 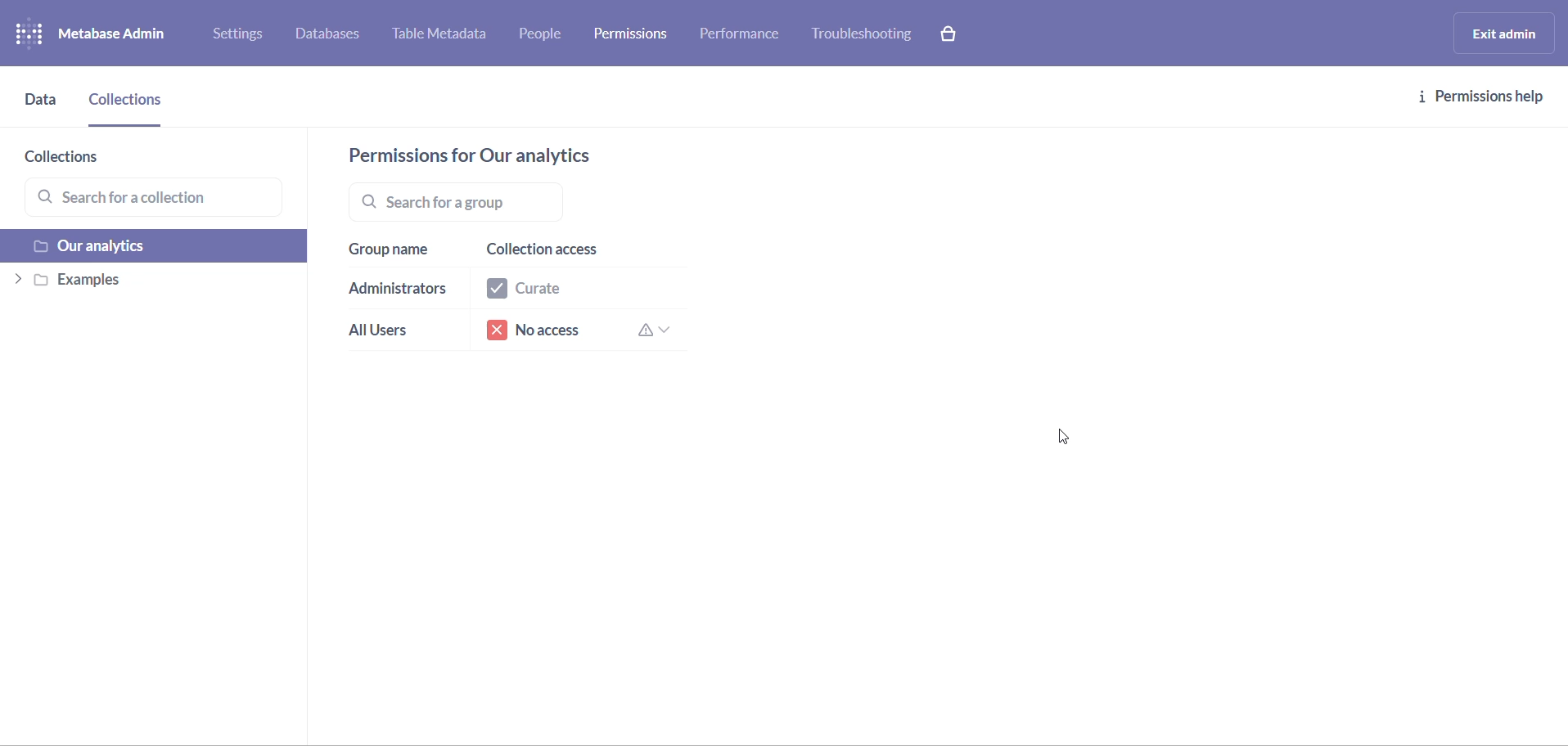 What do you see at coordinates (1482, 97) in the screenshot?
I see `permission help` at bounding box center [1482, 97].